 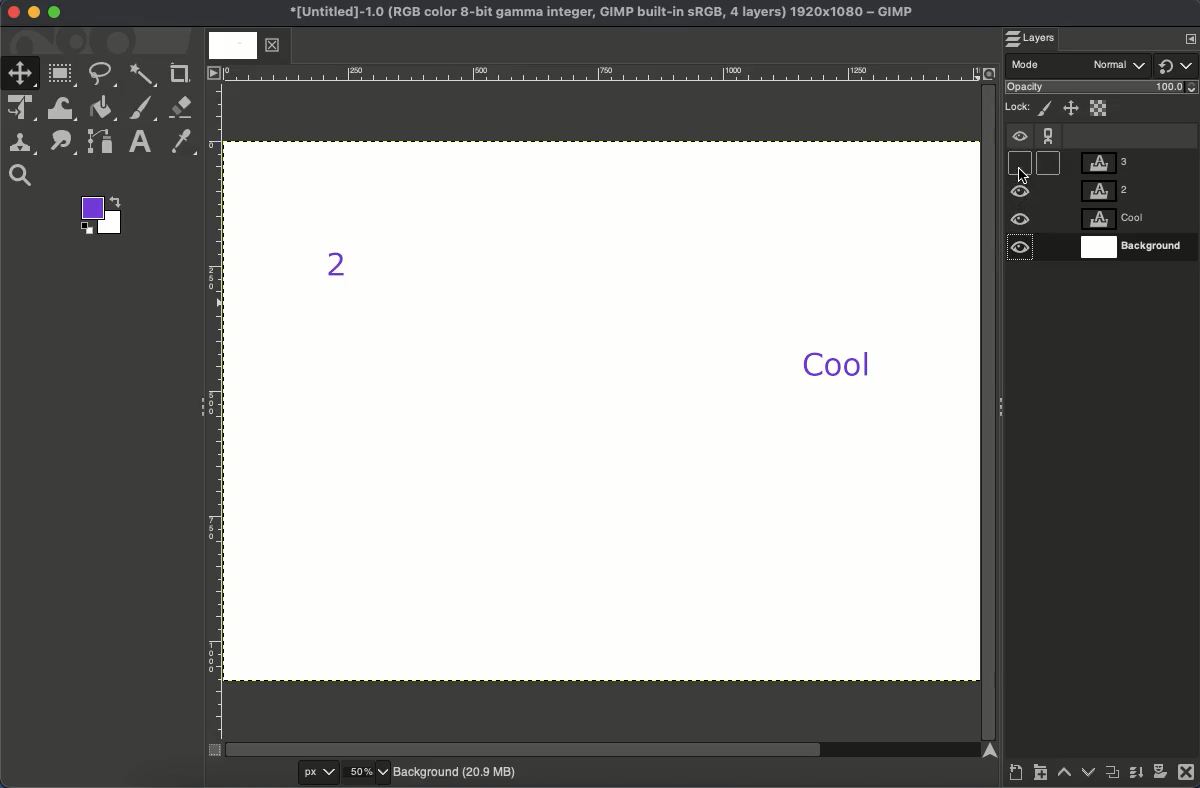 What do you see at coordinates (63, 74) in the screenshot?
I see `Rectangular select` at bounding box center [63, 74].